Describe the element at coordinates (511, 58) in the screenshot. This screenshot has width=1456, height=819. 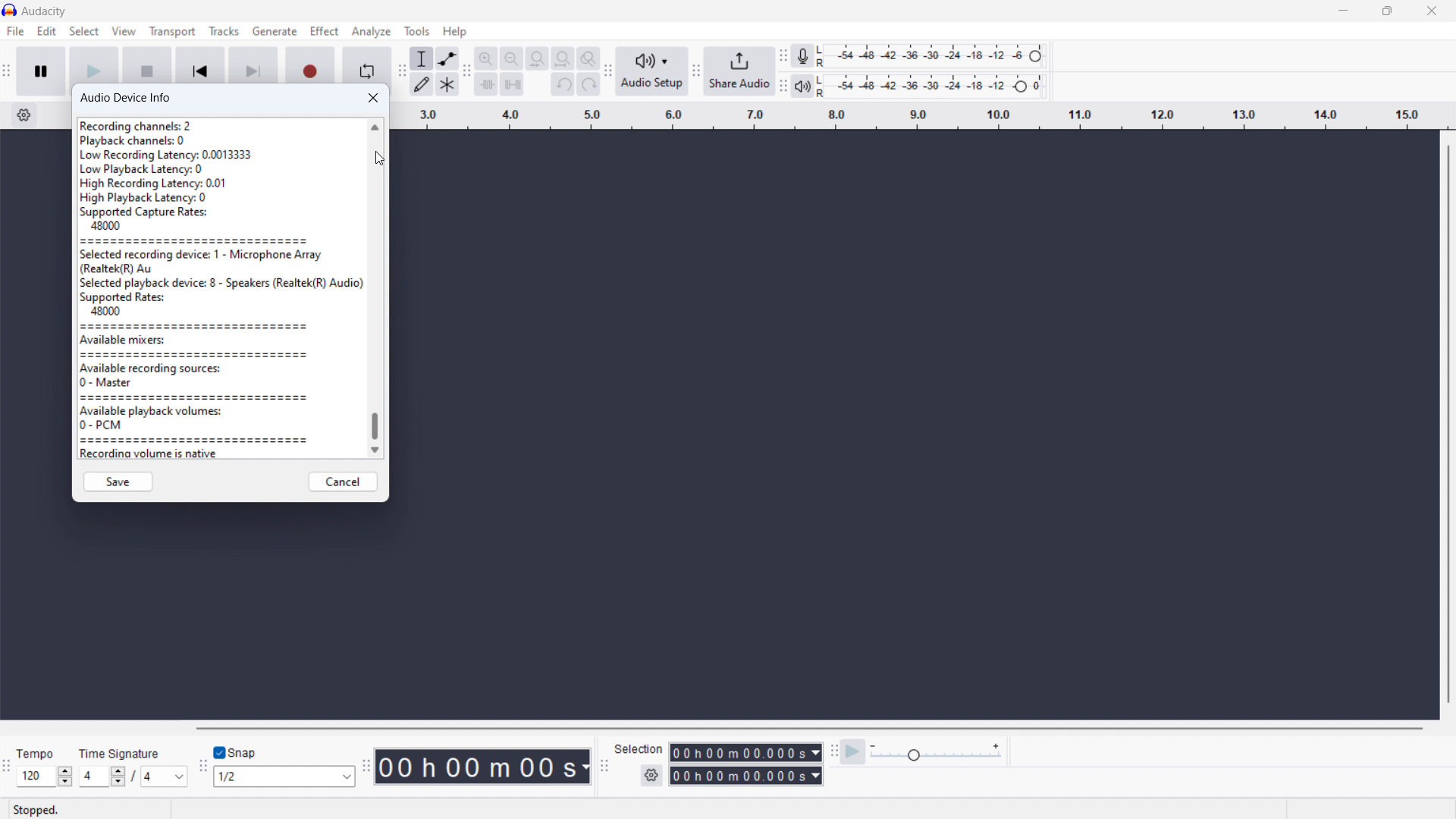
I see `zoom out` at that location.